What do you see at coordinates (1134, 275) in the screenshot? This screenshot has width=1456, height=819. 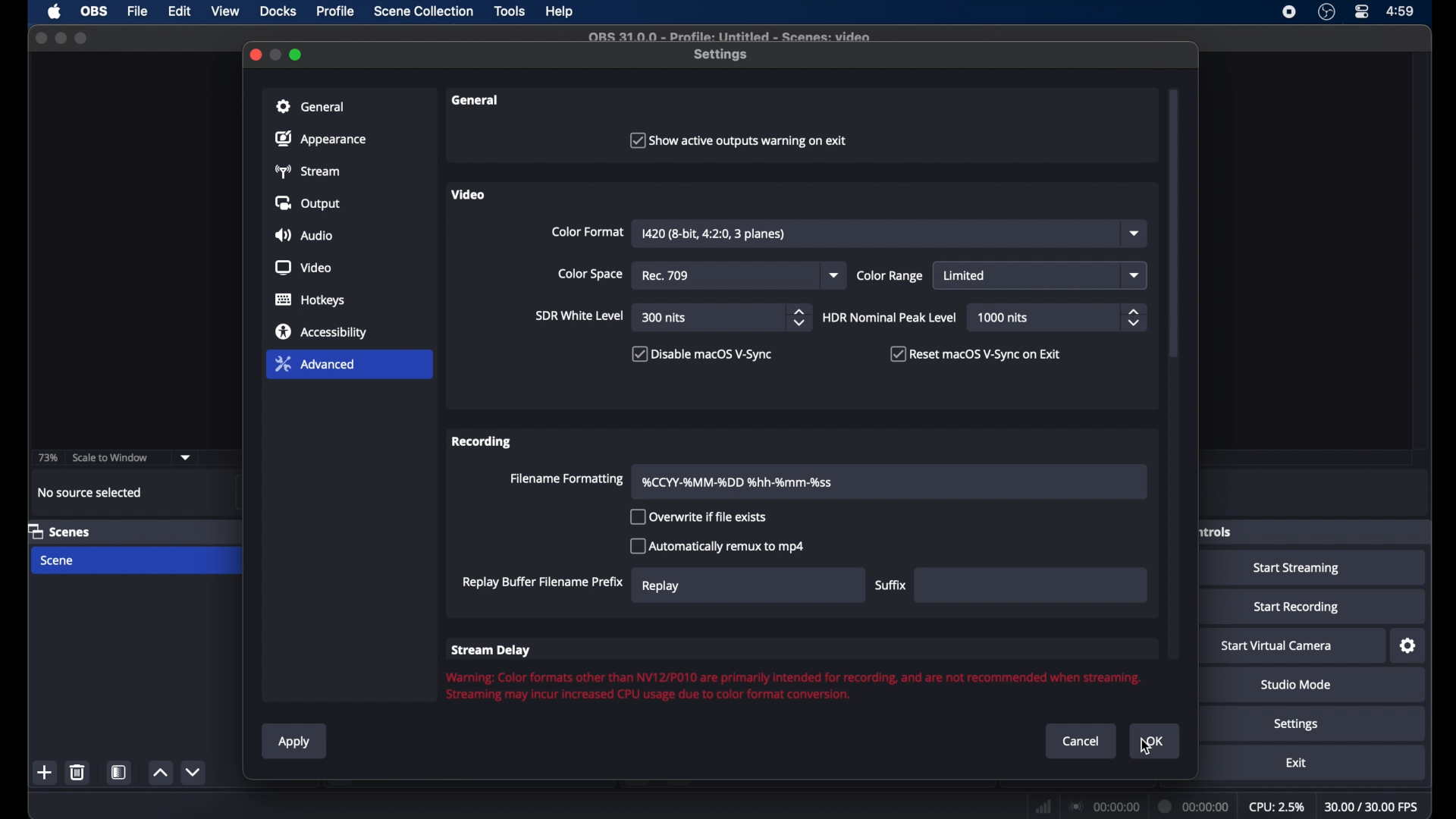 I see `dropdown` at bounding box center [1134, 275].